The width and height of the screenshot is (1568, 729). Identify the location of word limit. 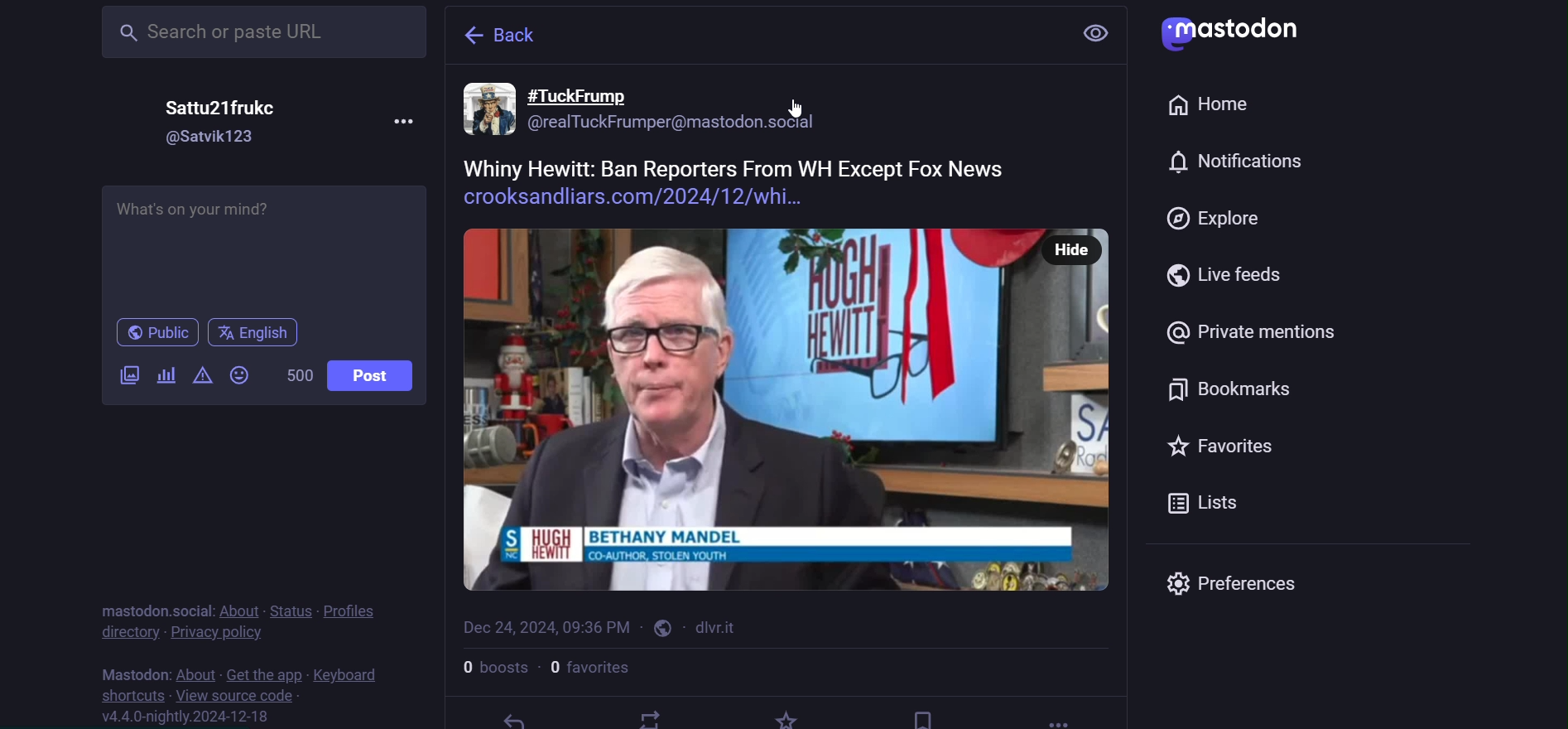
(300, 375).